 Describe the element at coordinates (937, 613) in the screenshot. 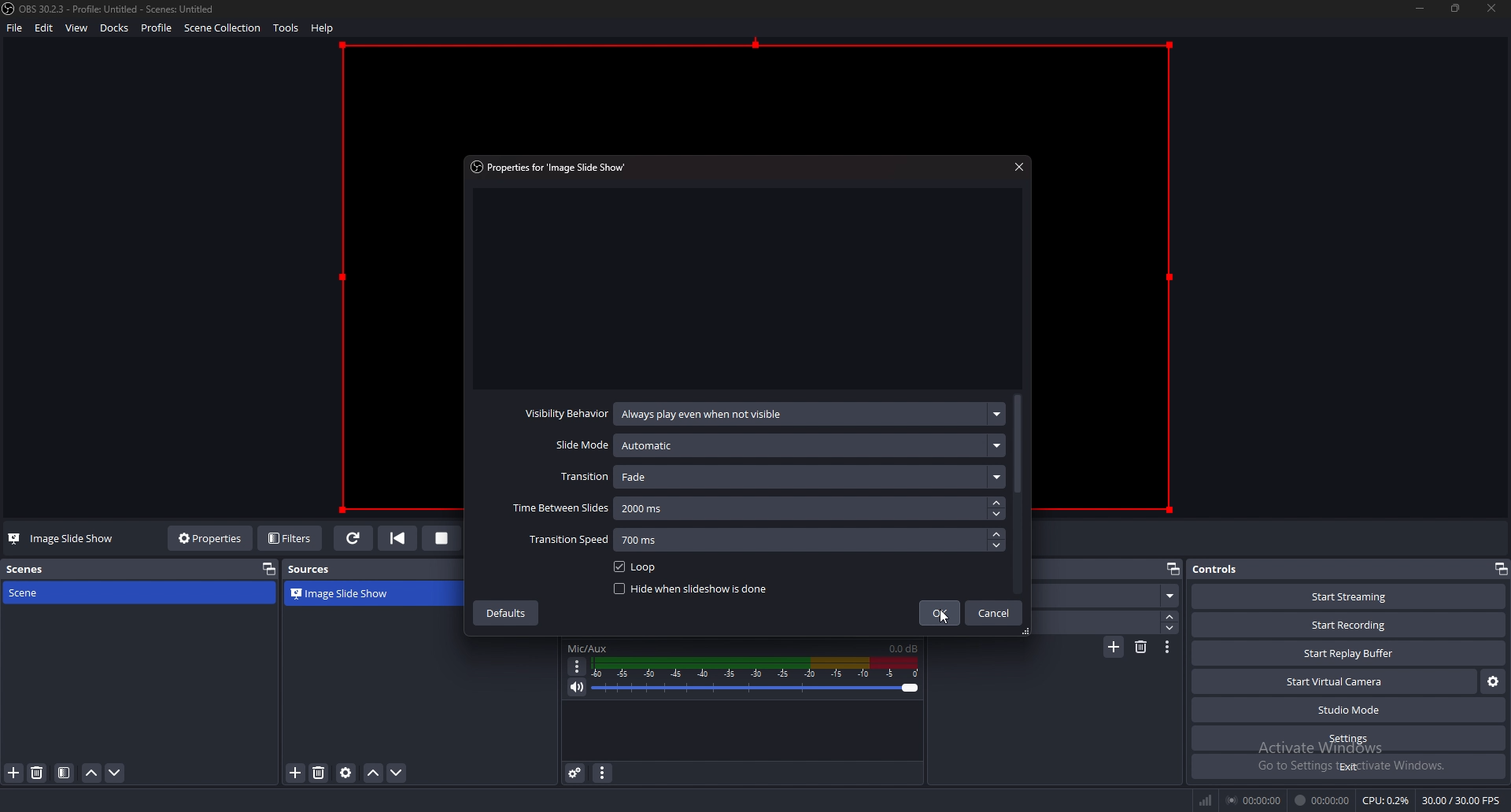

I see `ok` at that location.